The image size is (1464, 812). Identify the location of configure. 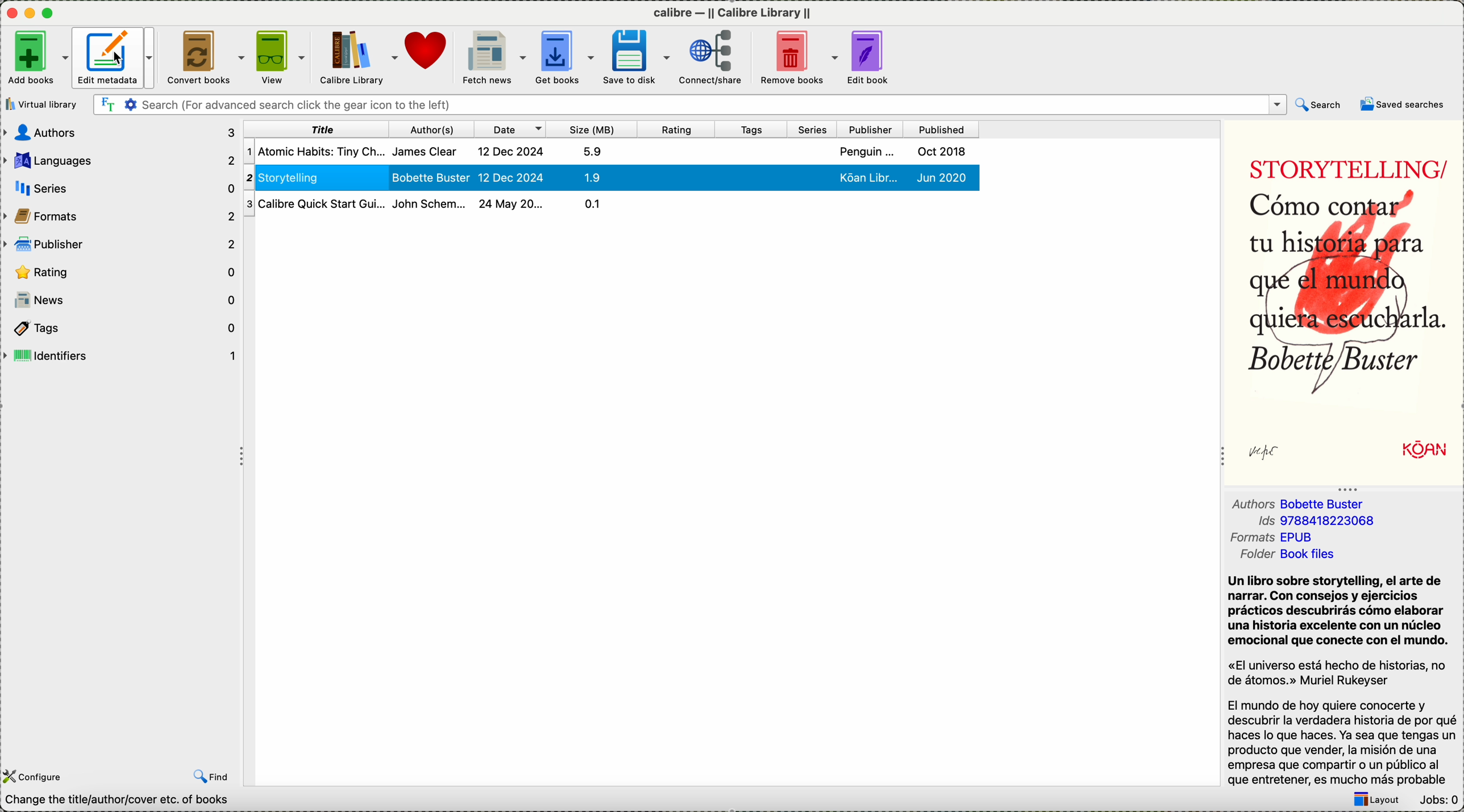
(35, 777).